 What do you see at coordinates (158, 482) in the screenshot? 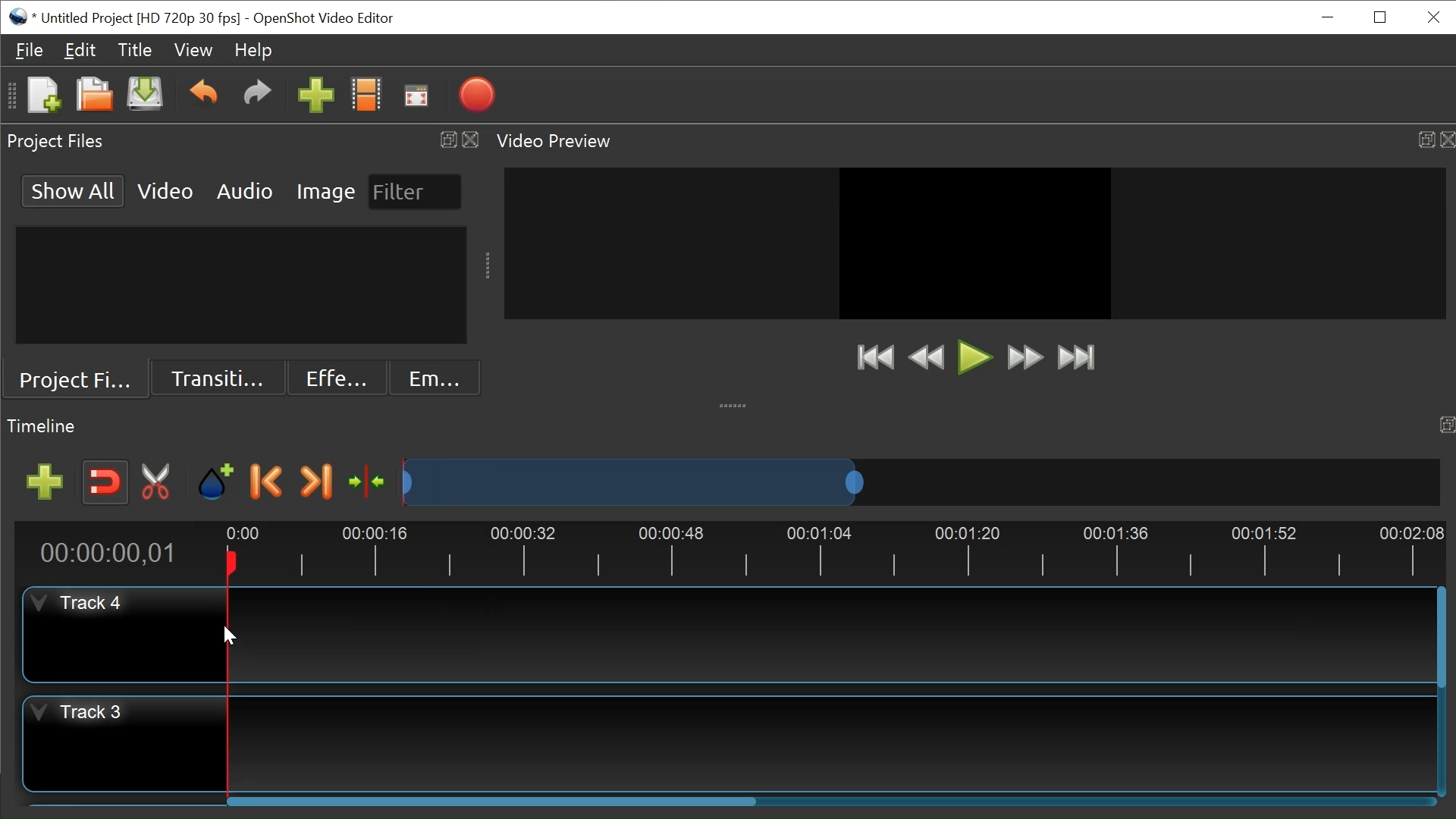
I see `Razor` at bounding box center [158, 482].